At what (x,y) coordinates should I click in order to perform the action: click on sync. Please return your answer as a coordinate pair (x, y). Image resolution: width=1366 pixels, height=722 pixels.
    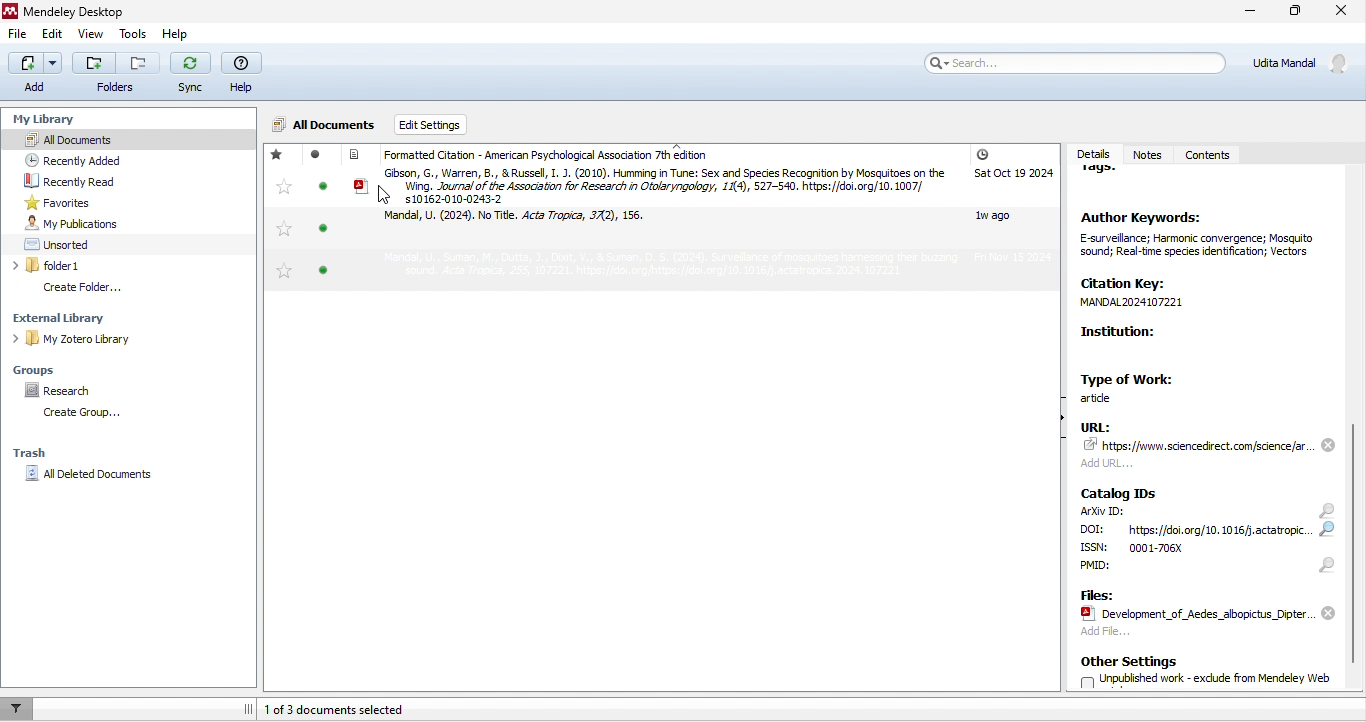
    Looking at the image, I should click on (191, 75).